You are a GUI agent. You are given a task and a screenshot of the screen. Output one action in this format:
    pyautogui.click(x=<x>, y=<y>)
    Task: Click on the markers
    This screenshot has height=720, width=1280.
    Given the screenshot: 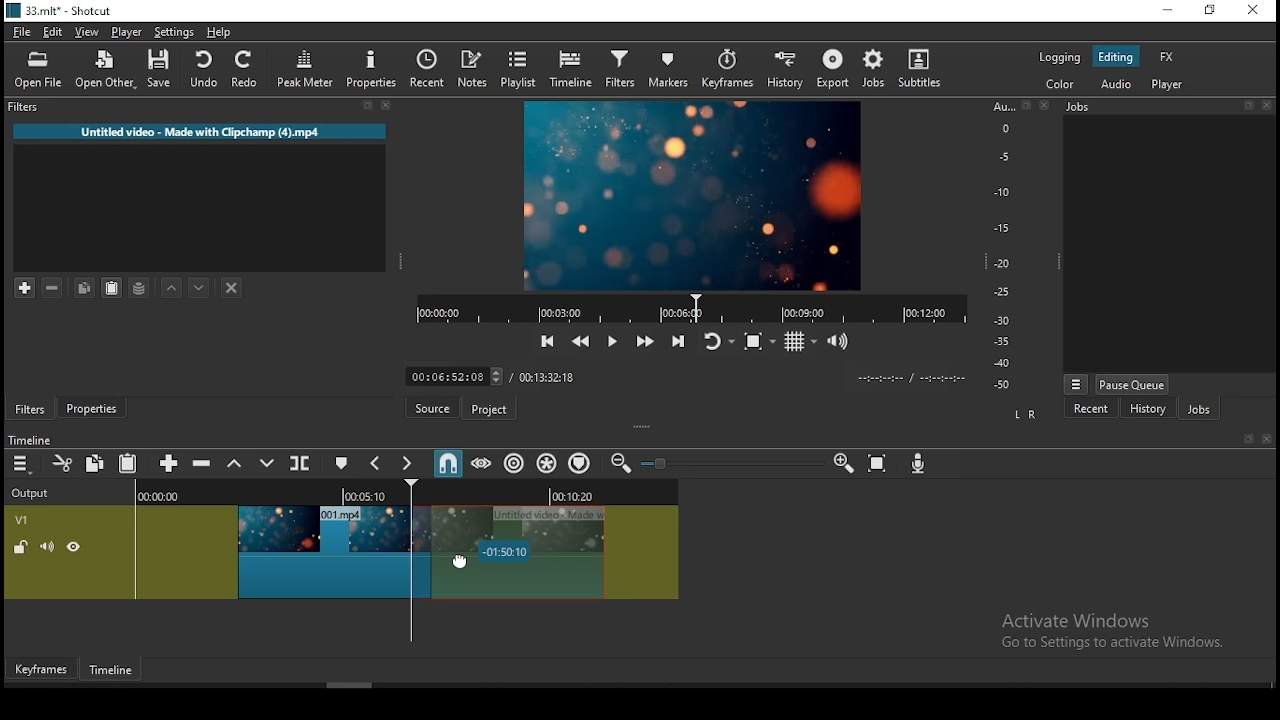 What is the action you would take?
    pyautogui.click(x=668, y=69)
    